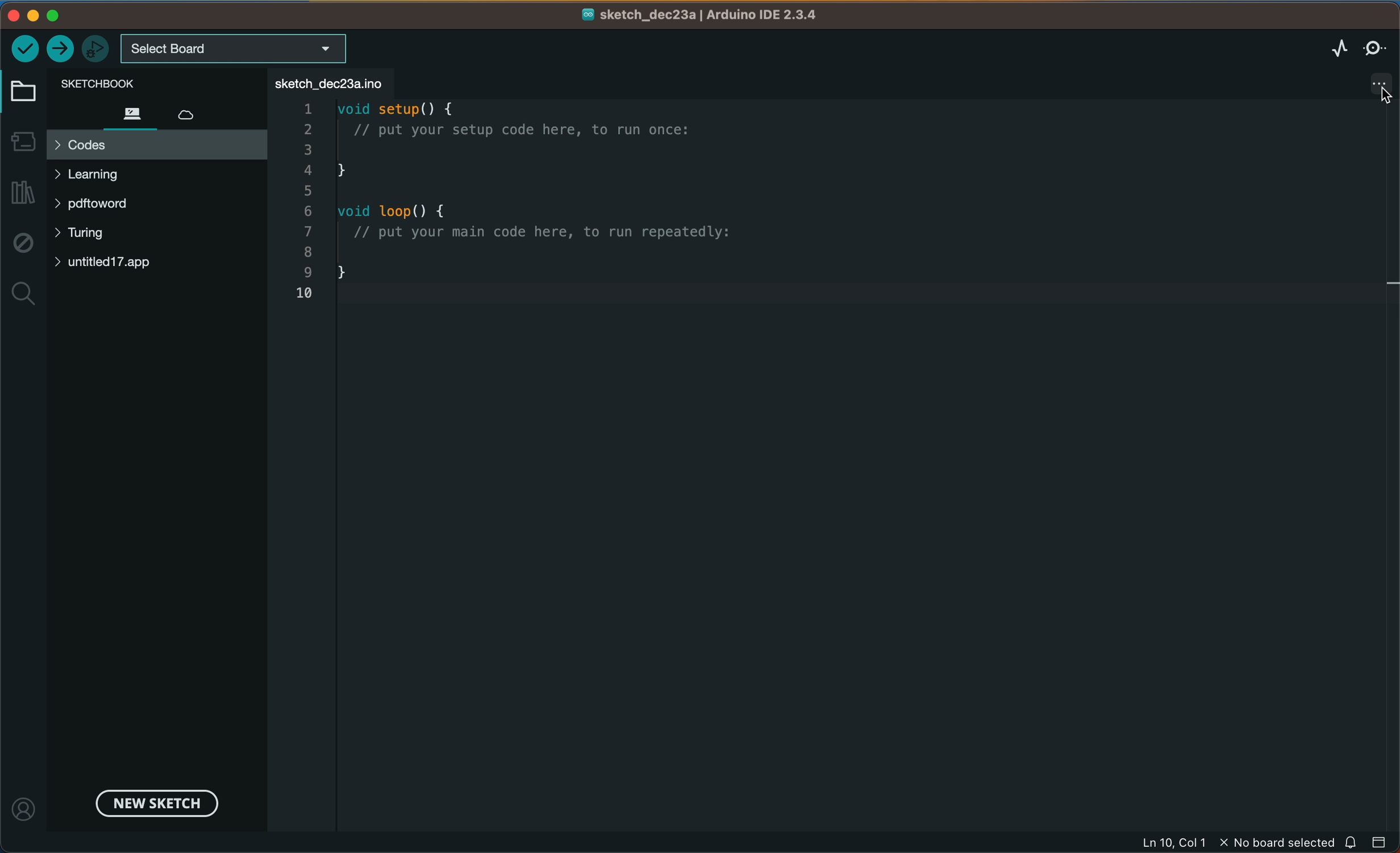  Describe the element at coordinates (23, 139) in the screenshot. I see `board manager` at that location.